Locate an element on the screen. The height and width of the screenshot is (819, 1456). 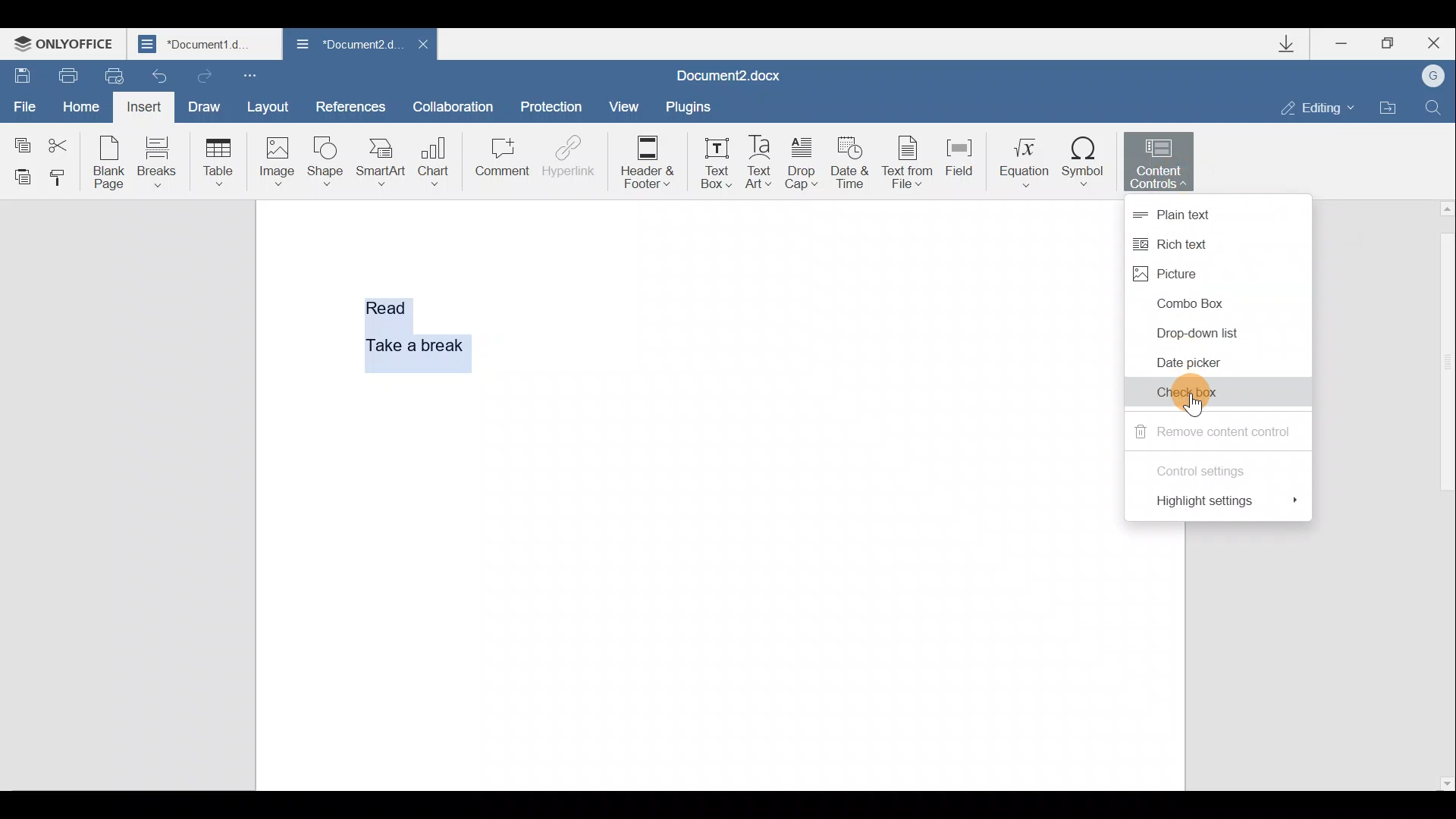
Take a break is located at coordinates (409, 343).